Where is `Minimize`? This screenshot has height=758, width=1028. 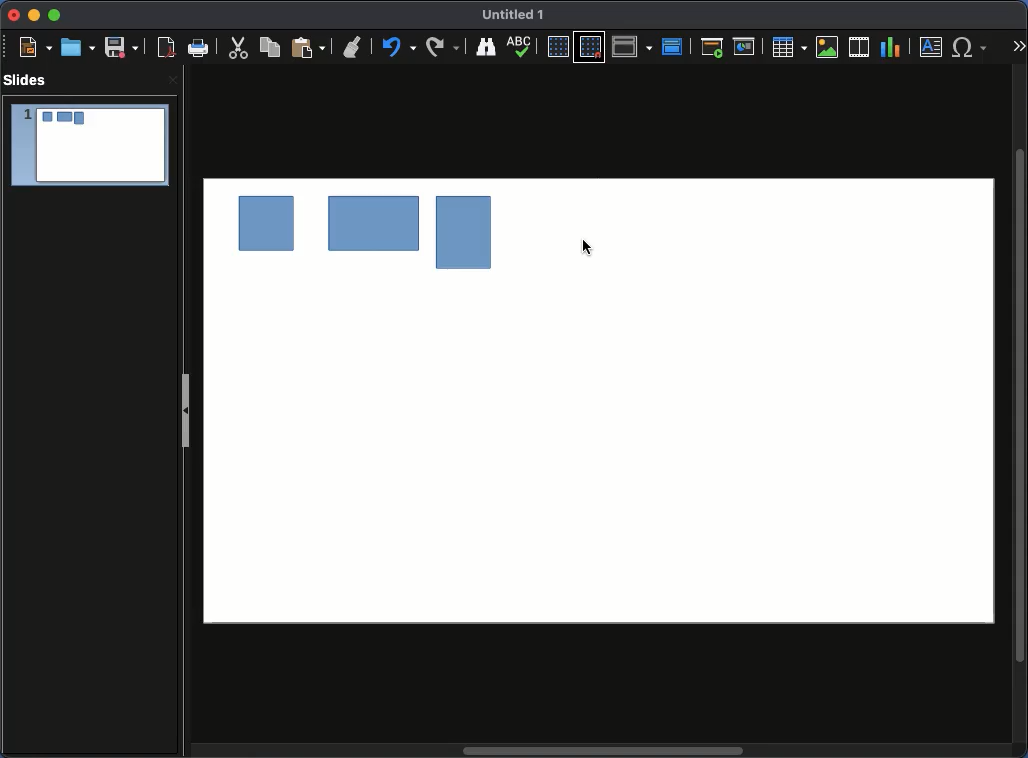 Minimize is located at coordinates (34, 16).